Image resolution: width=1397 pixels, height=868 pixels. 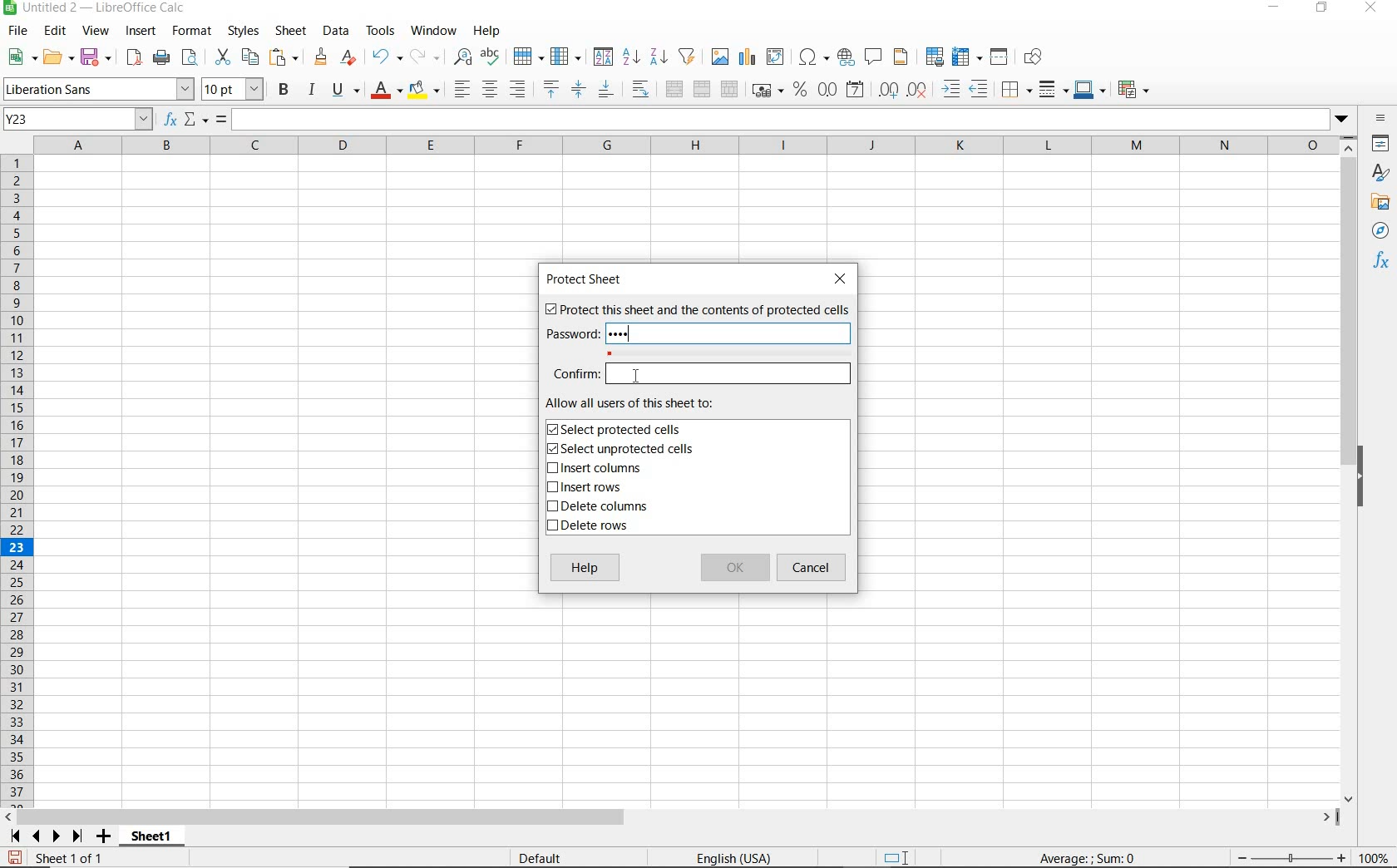 I want to click on CONDITIONAL, so click(x=1133, y=89).